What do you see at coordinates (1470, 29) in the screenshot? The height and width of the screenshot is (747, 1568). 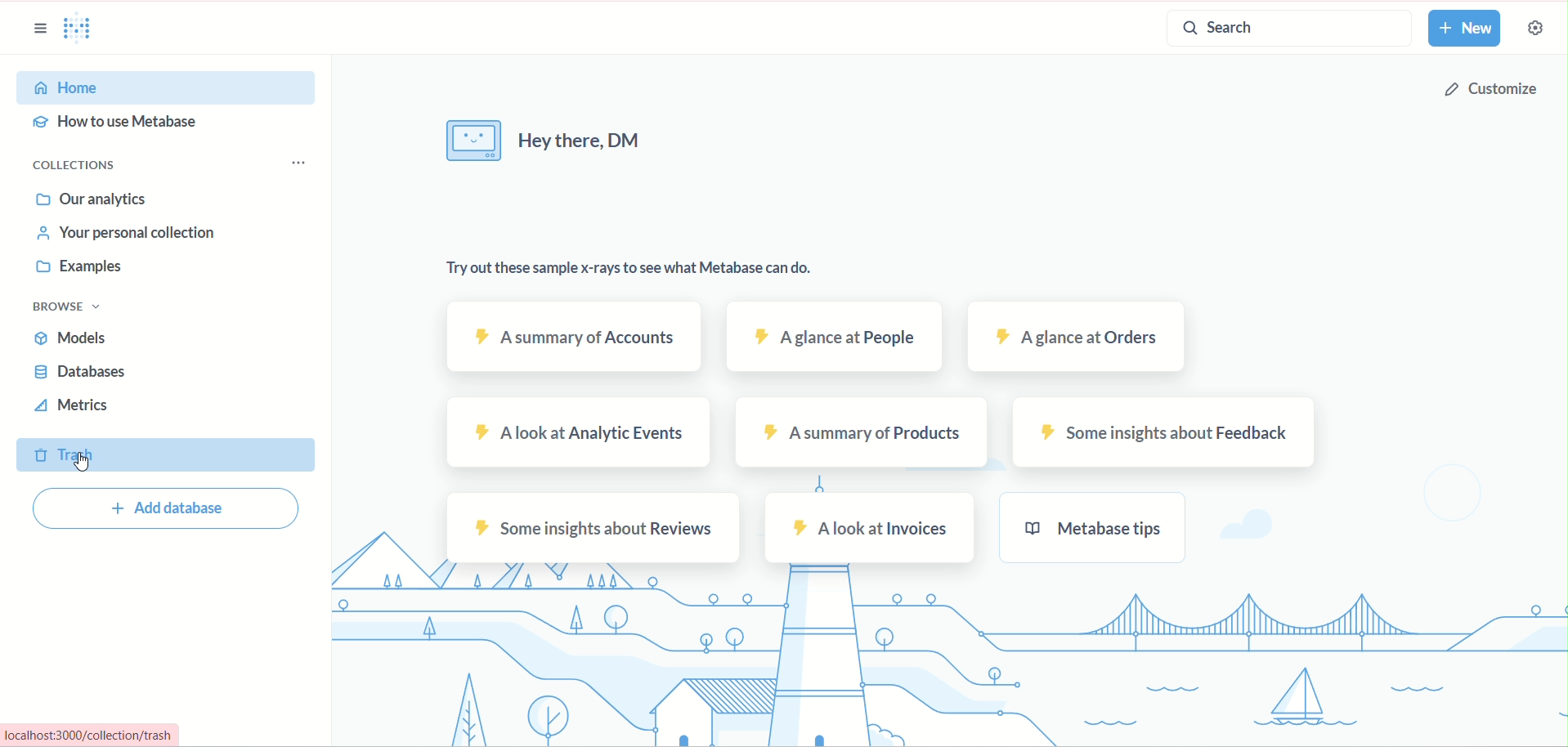 I see `new` at bounding box center [1470, 29].